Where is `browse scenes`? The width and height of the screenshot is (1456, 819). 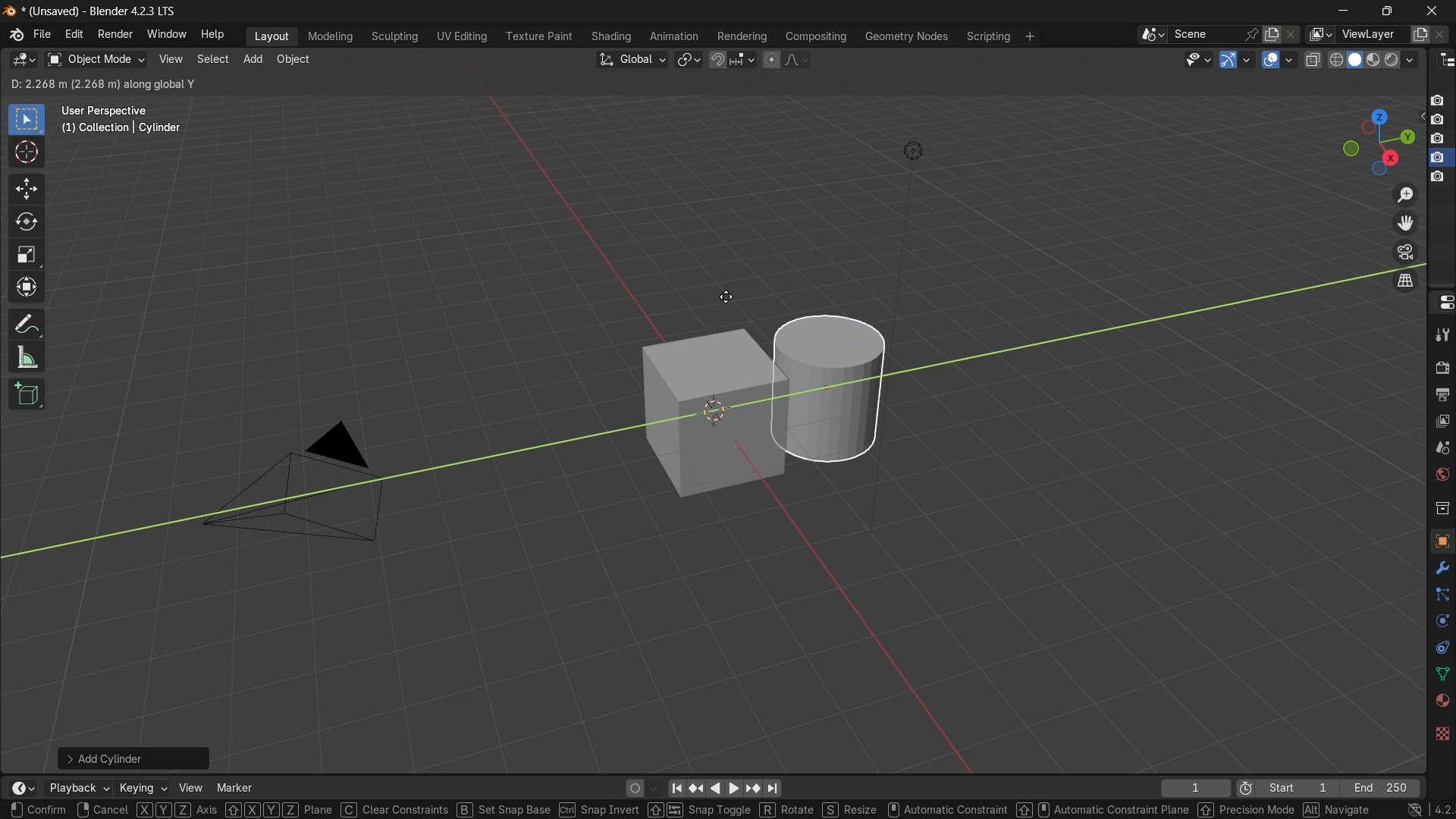
browse scenes is located at coordinates (1151, 35).